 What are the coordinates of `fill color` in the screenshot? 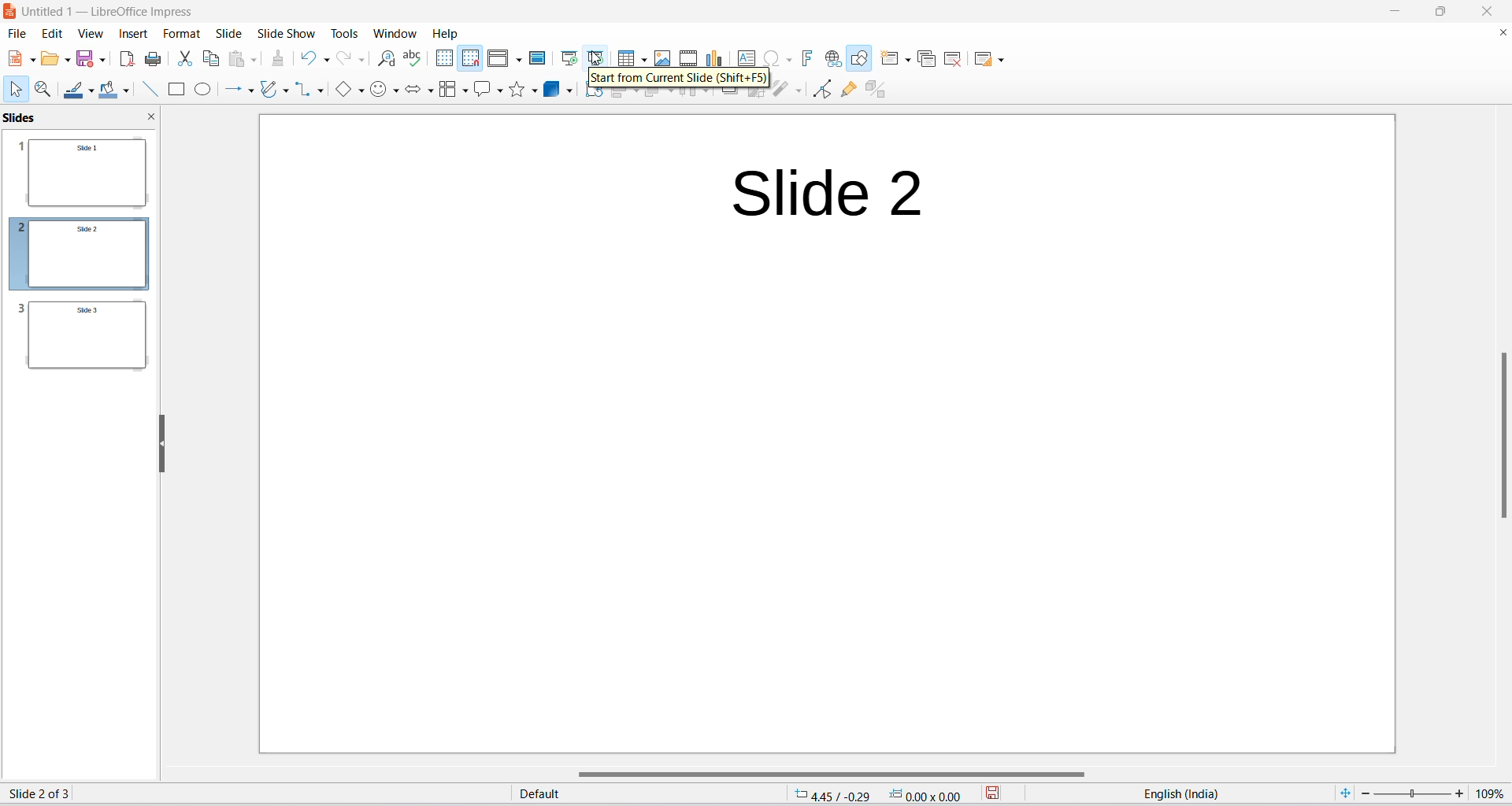 It's located at (107, 91).